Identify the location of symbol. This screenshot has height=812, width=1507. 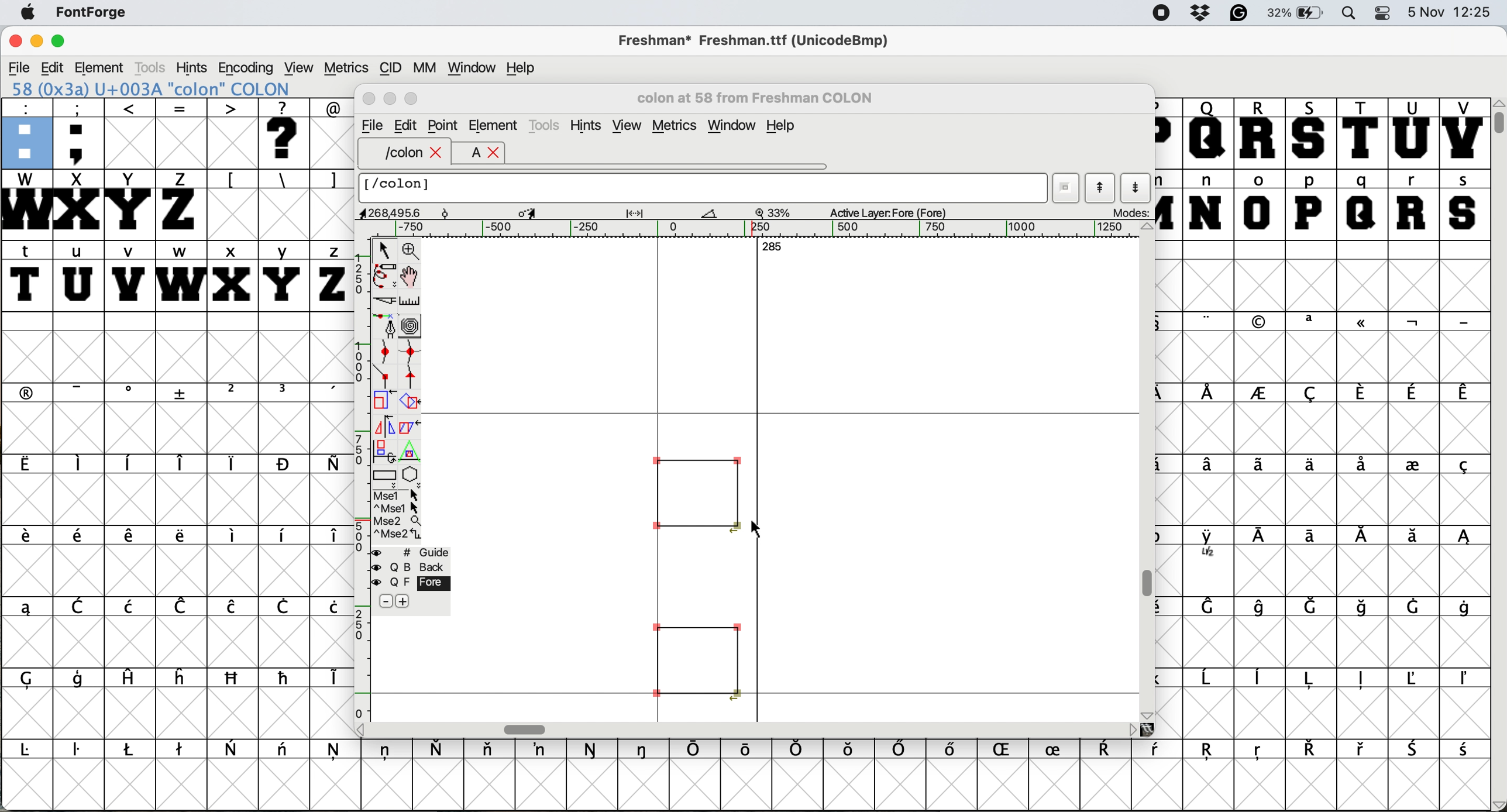
(645, 749).